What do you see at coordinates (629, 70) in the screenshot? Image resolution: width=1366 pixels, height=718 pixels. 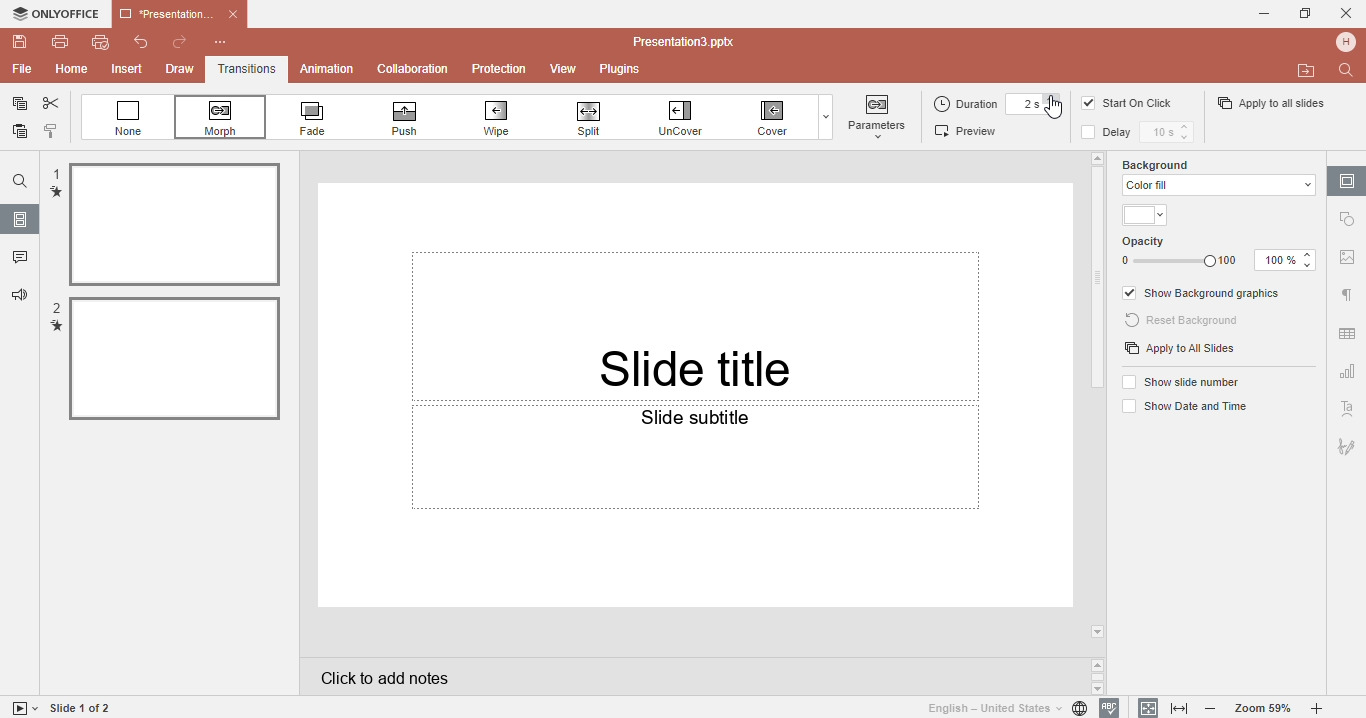 I see `Plugins` at bounding box center [629, 70].